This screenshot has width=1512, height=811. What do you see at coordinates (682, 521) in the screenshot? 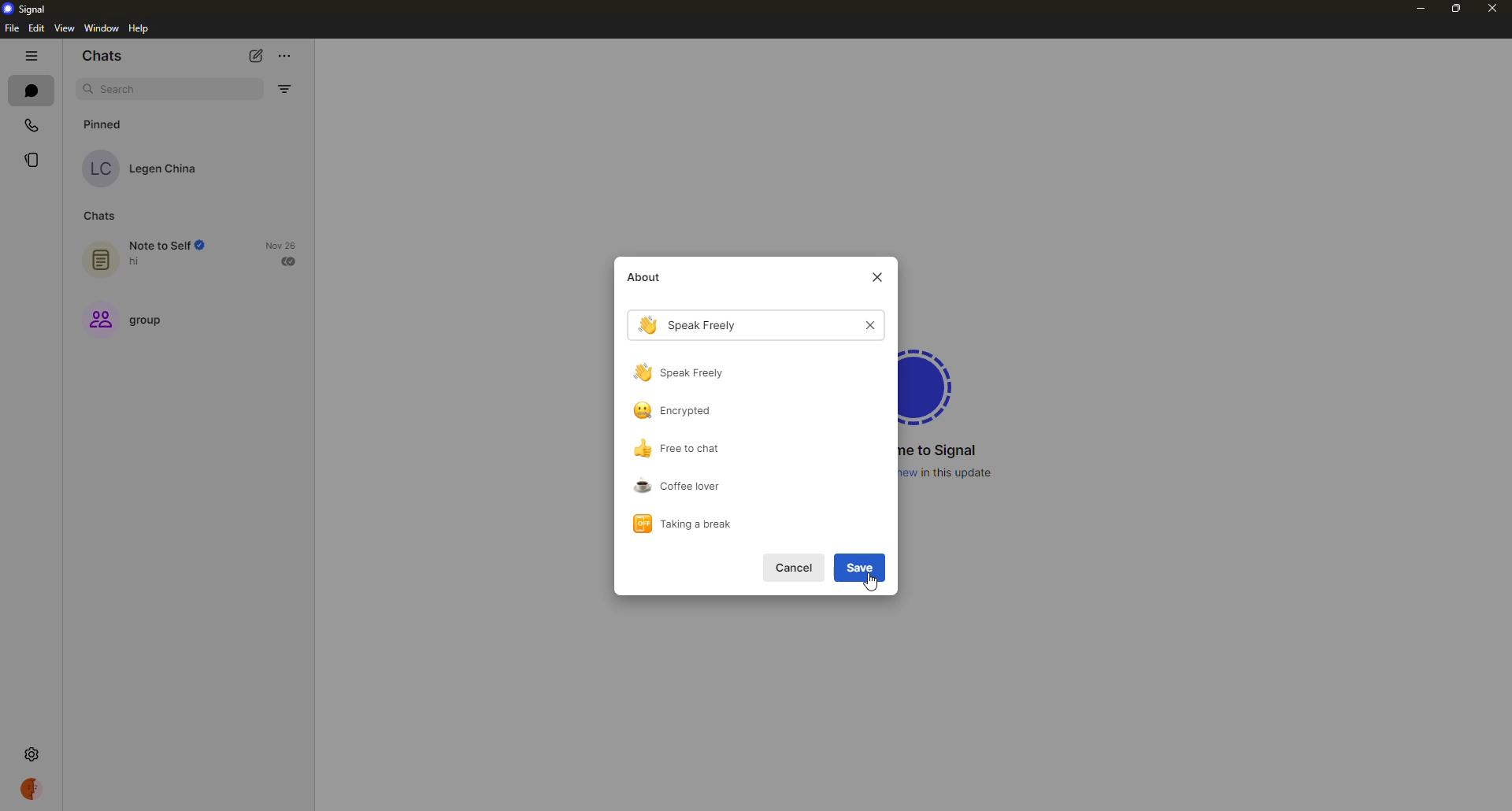
I see `taking a break` at bounding box center [682, 521].